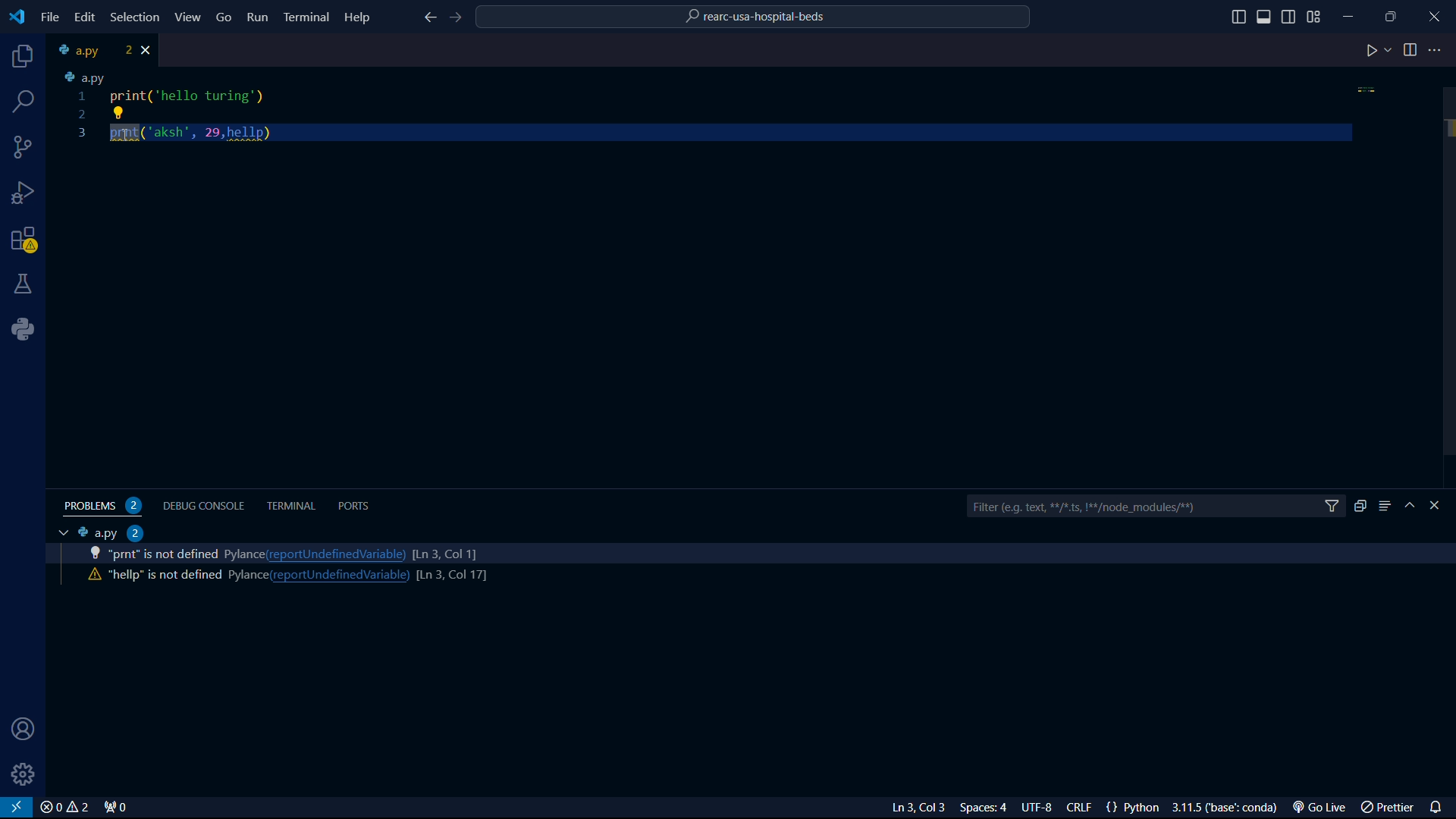 The image size is (1456, 819). What do you see at coordinates (450, 576) in the screenshot?
I see `line count` at bounding box center [450, 576].